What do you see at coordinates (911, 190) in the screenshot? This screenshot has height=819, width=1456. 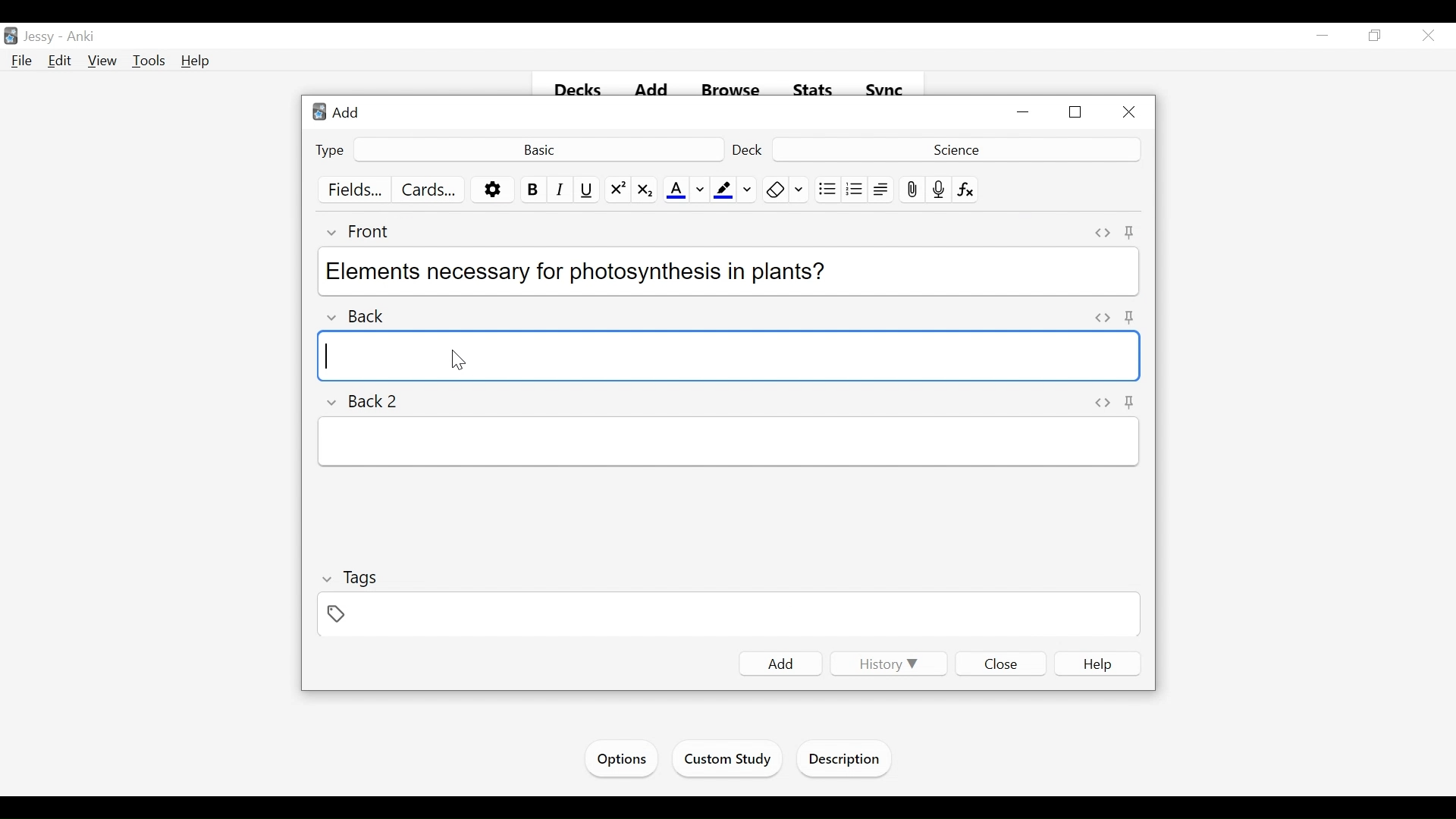 I see `Upload pictures/images/ files` at bounding box center [911, 190].